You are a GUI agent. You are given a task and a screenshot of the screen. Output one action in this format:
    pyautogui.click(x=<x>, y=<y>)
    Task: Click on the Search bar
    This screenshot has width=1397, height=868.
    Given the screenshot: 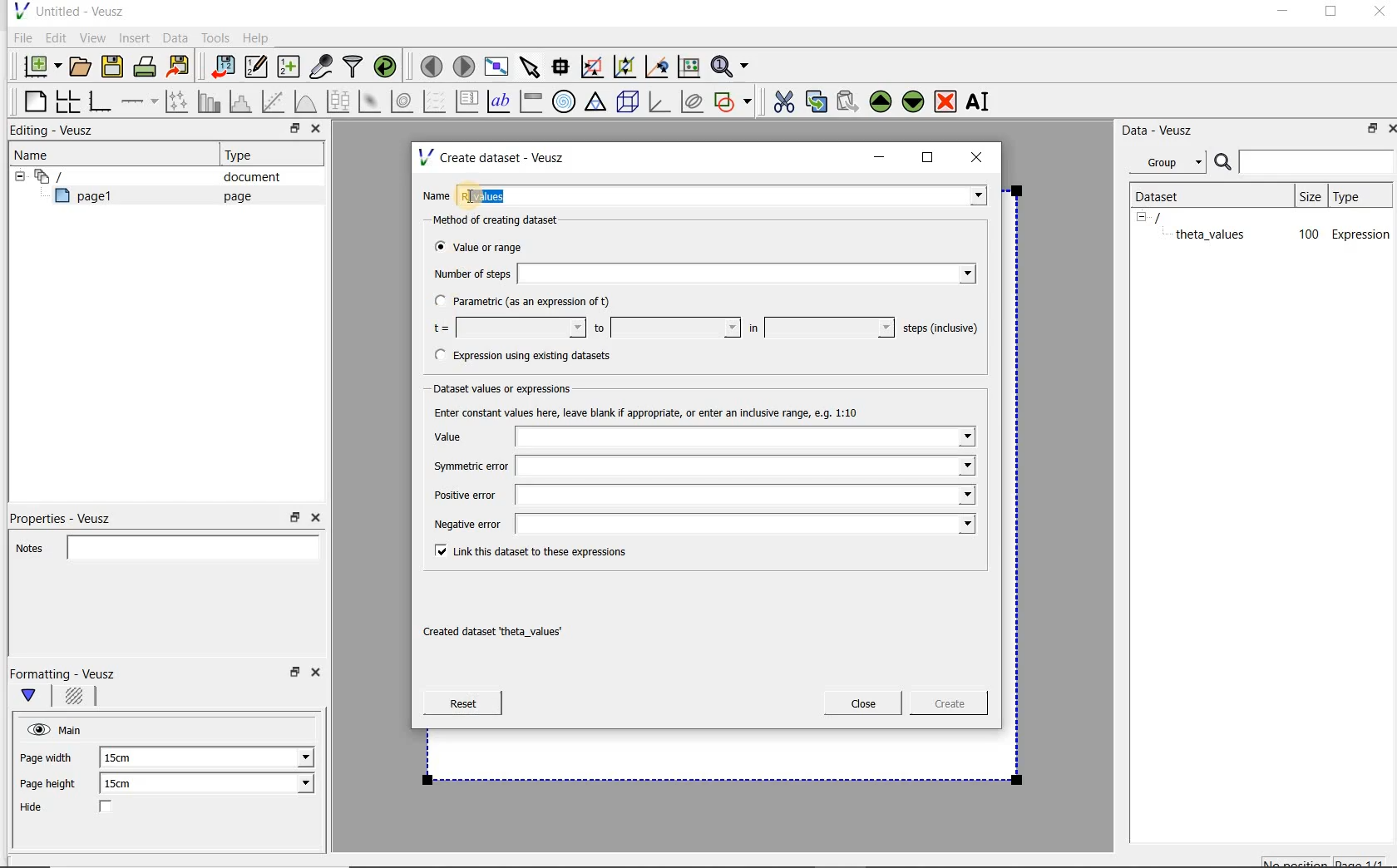 What is the action you would take?
    pyautogui.click(x=1305, y=160)
    